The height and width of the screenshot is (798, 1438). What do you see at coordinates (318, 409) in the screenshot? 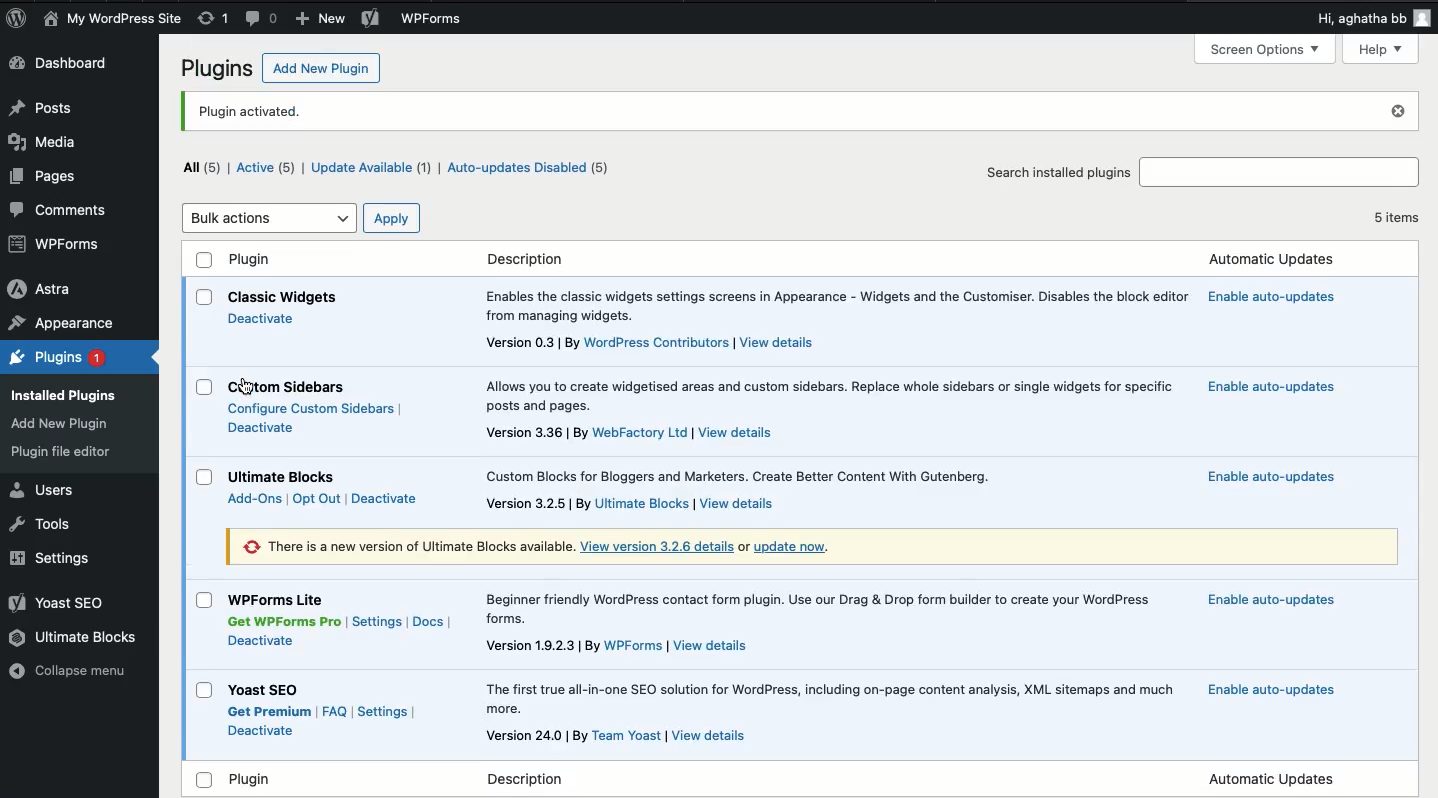
I see `Configure custom sidebars` at bounding box center [318, 409].